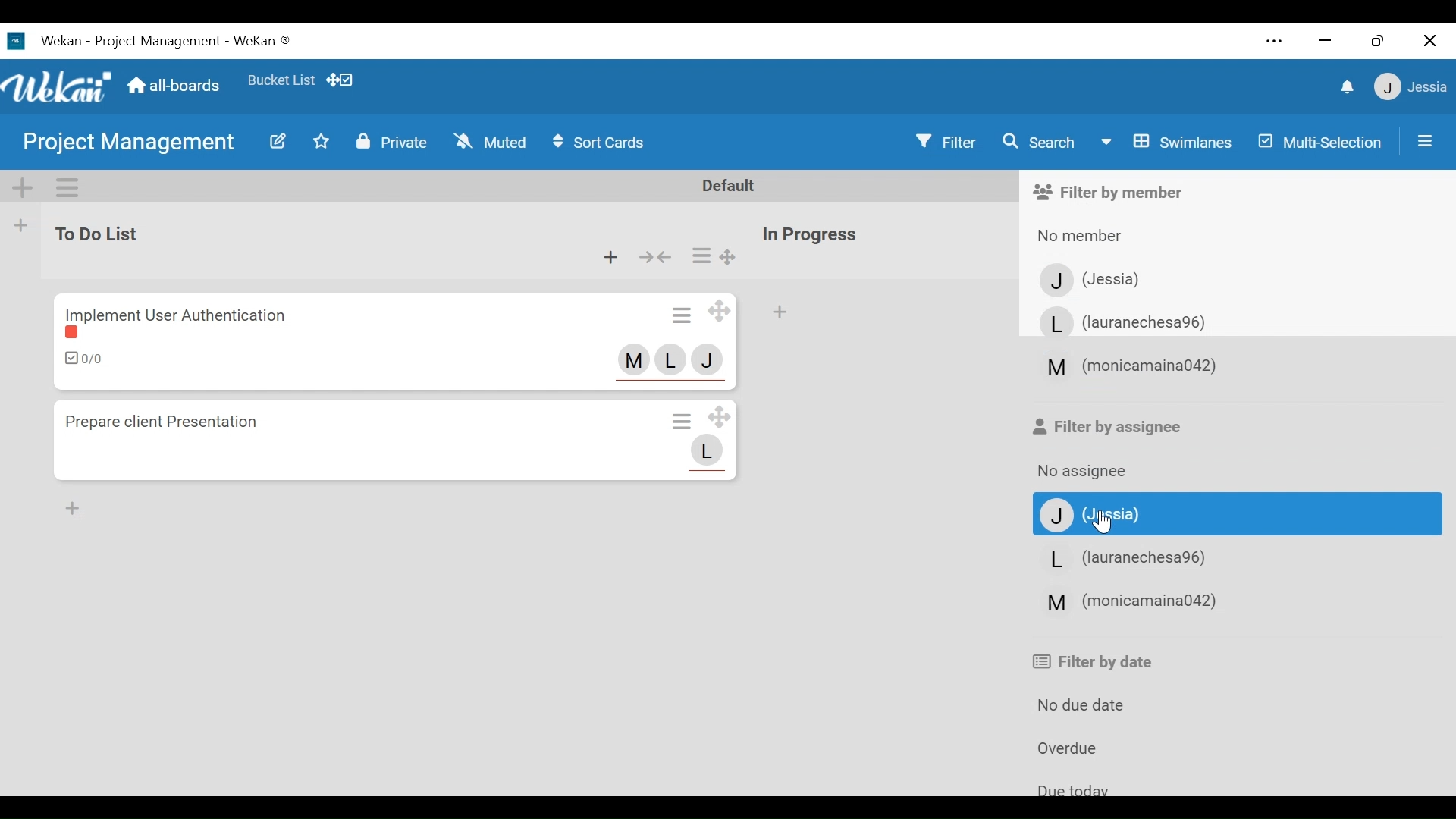  I want to click on Private, so click(393, 141).